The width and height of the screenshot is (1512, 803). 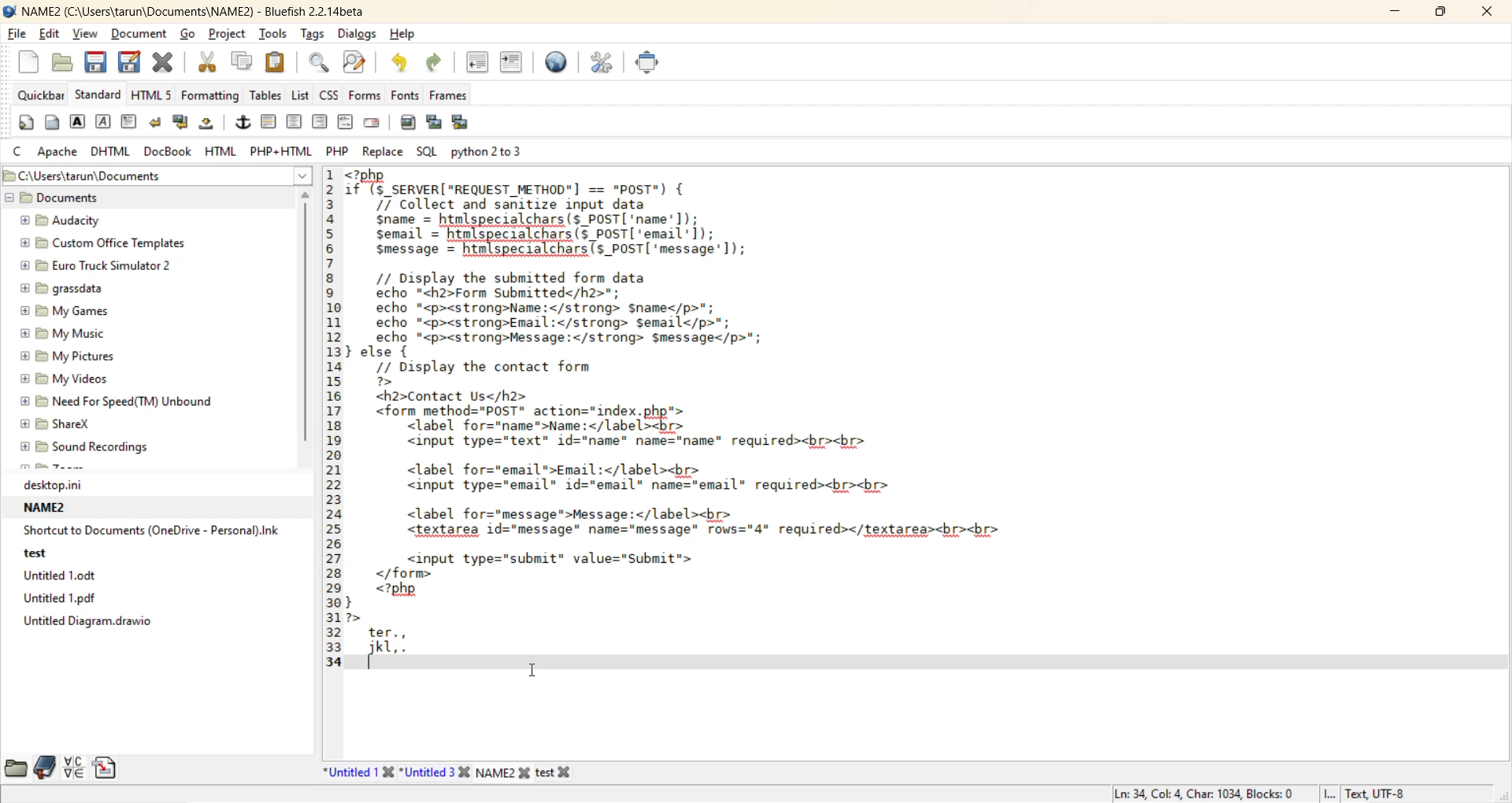 What do you see at coordinates (435, 65) in the screenshot?
I see `redo` at bounding box center [435, 65].